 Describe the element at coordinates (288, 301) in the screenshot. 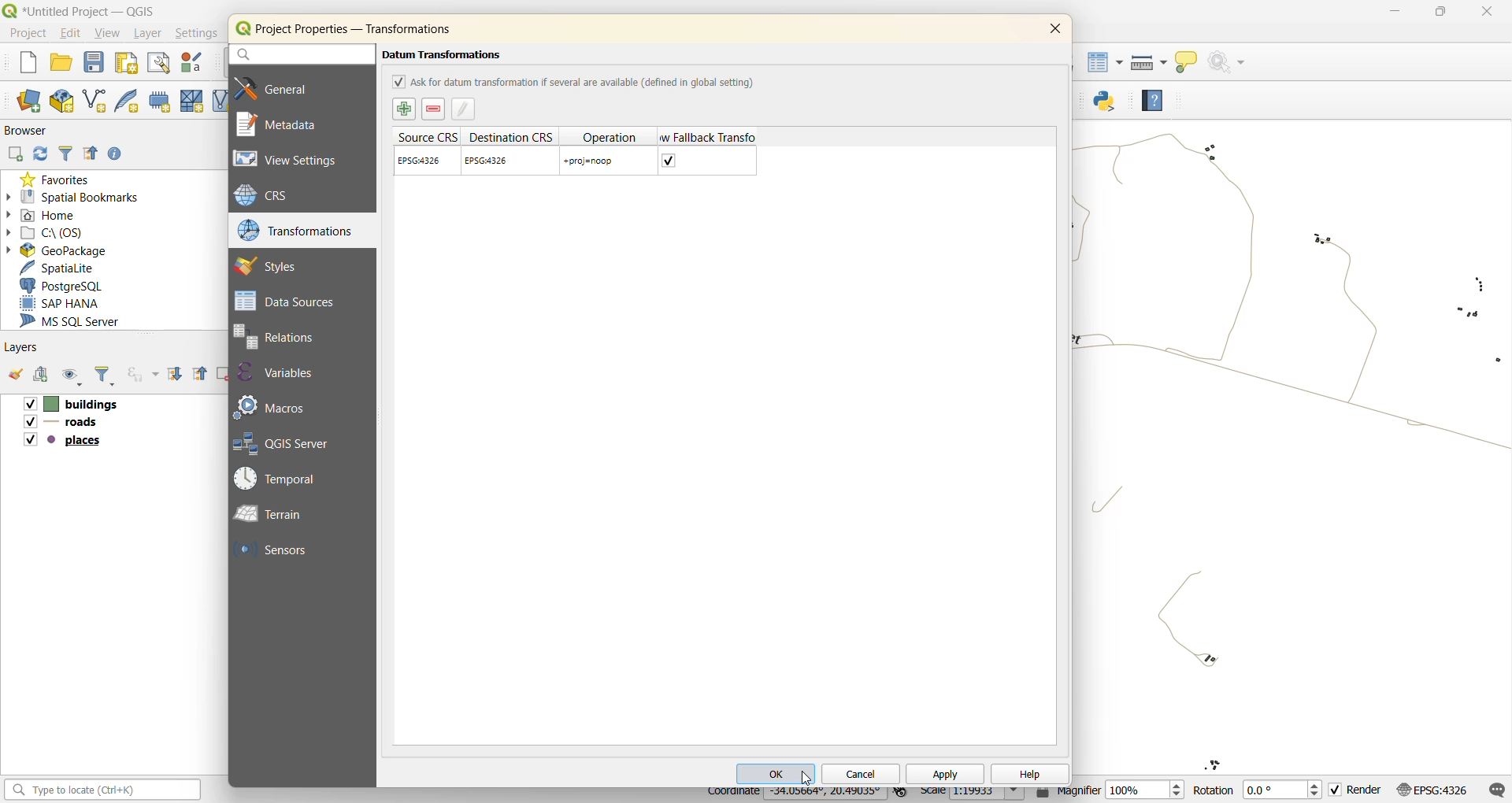

I see `data sources` at that location.